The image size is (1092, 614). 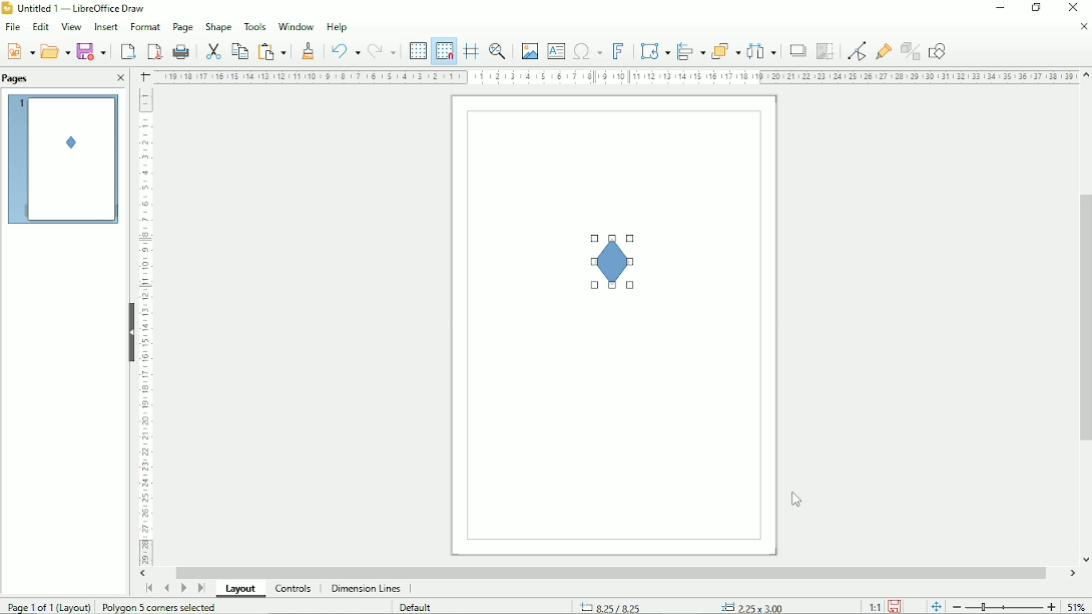 I want to click on Scroll to last page, so click(x=200, y=590).